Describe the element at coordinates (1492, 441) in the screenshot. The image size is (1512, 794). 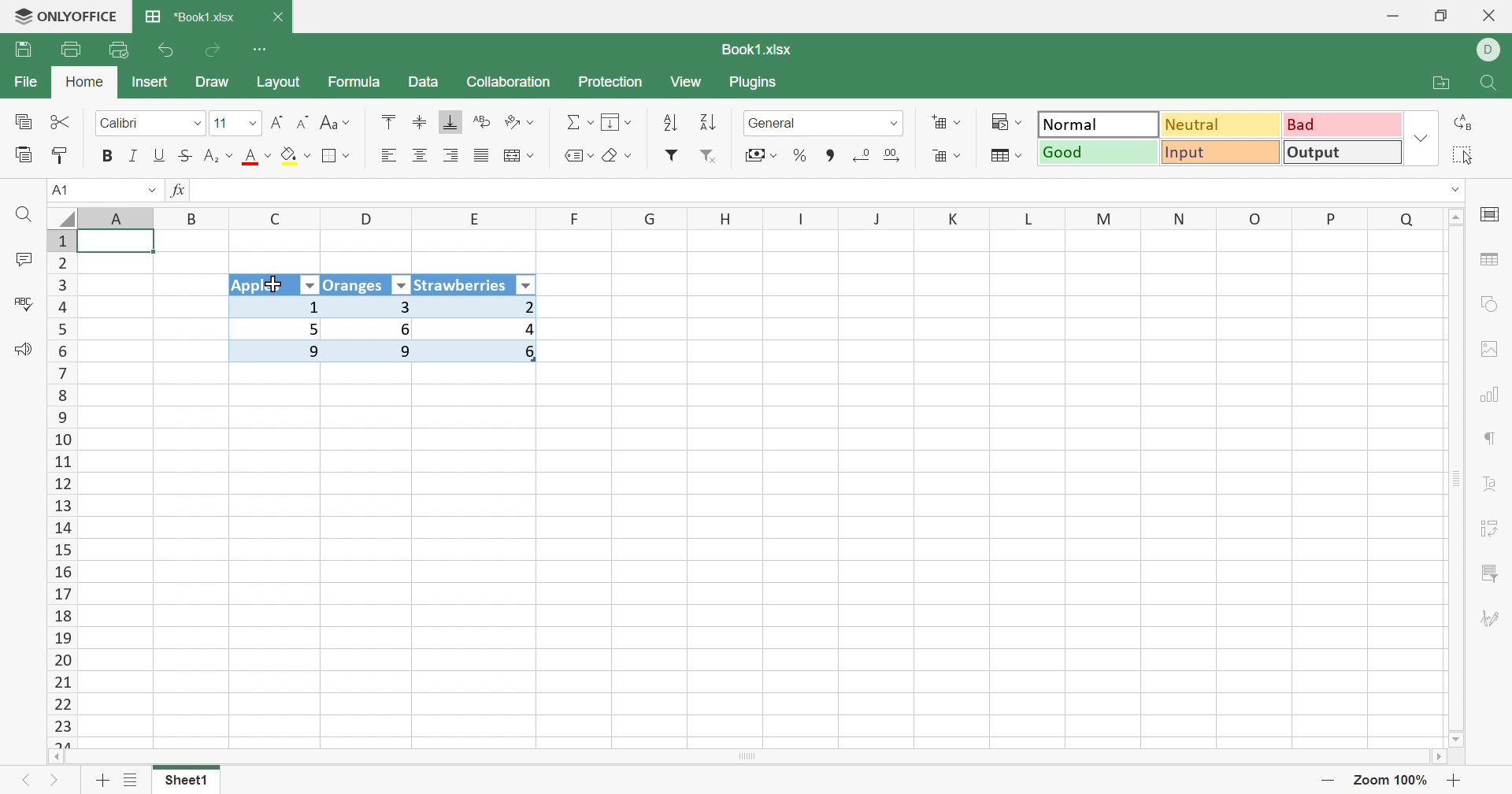
I see `Paragraph settings` at that location.